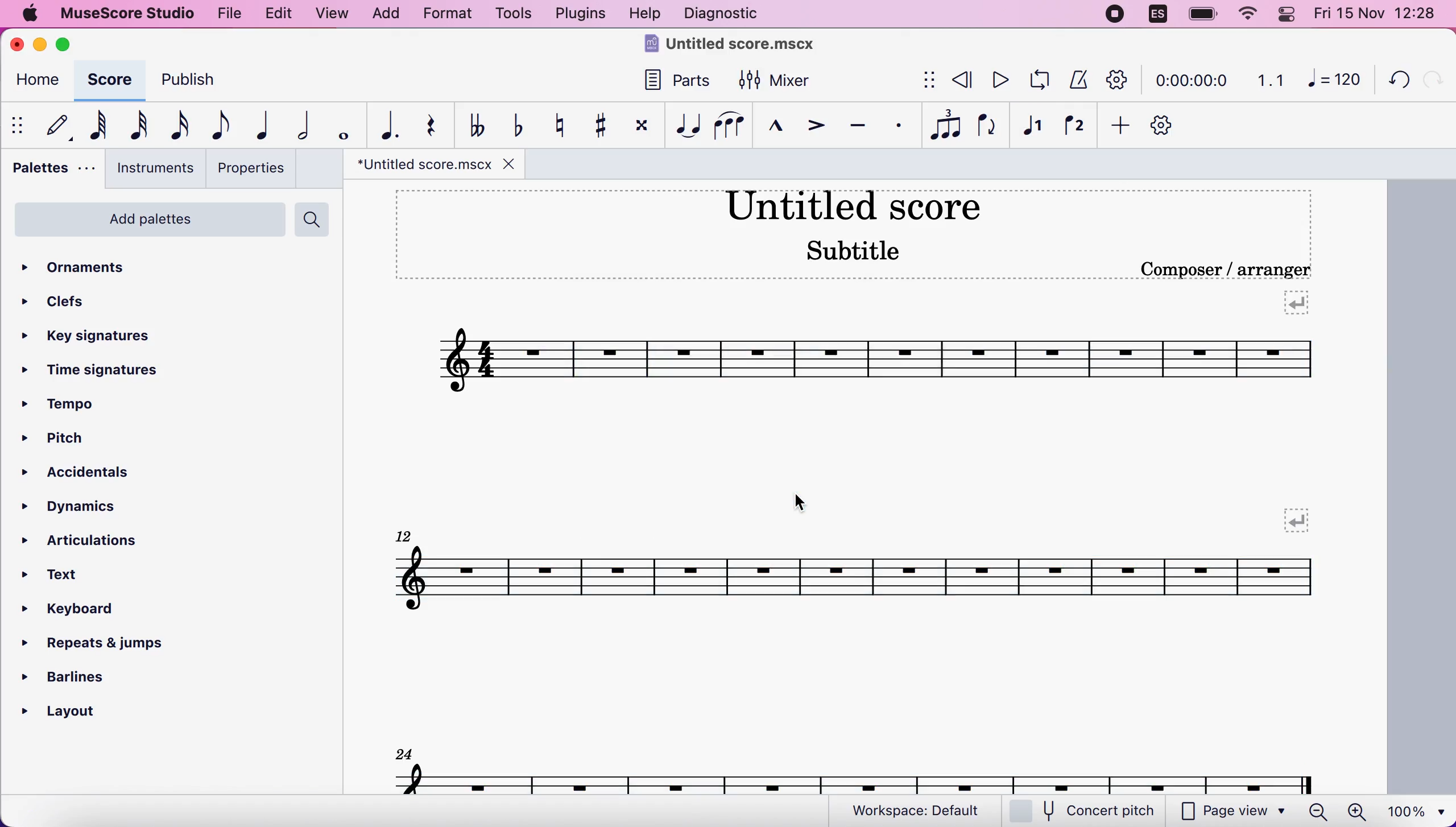 This screenshot has height=827, width=1456. Describe the element at coordinates (64, 576) in the screenshot. I see `text` at that location.